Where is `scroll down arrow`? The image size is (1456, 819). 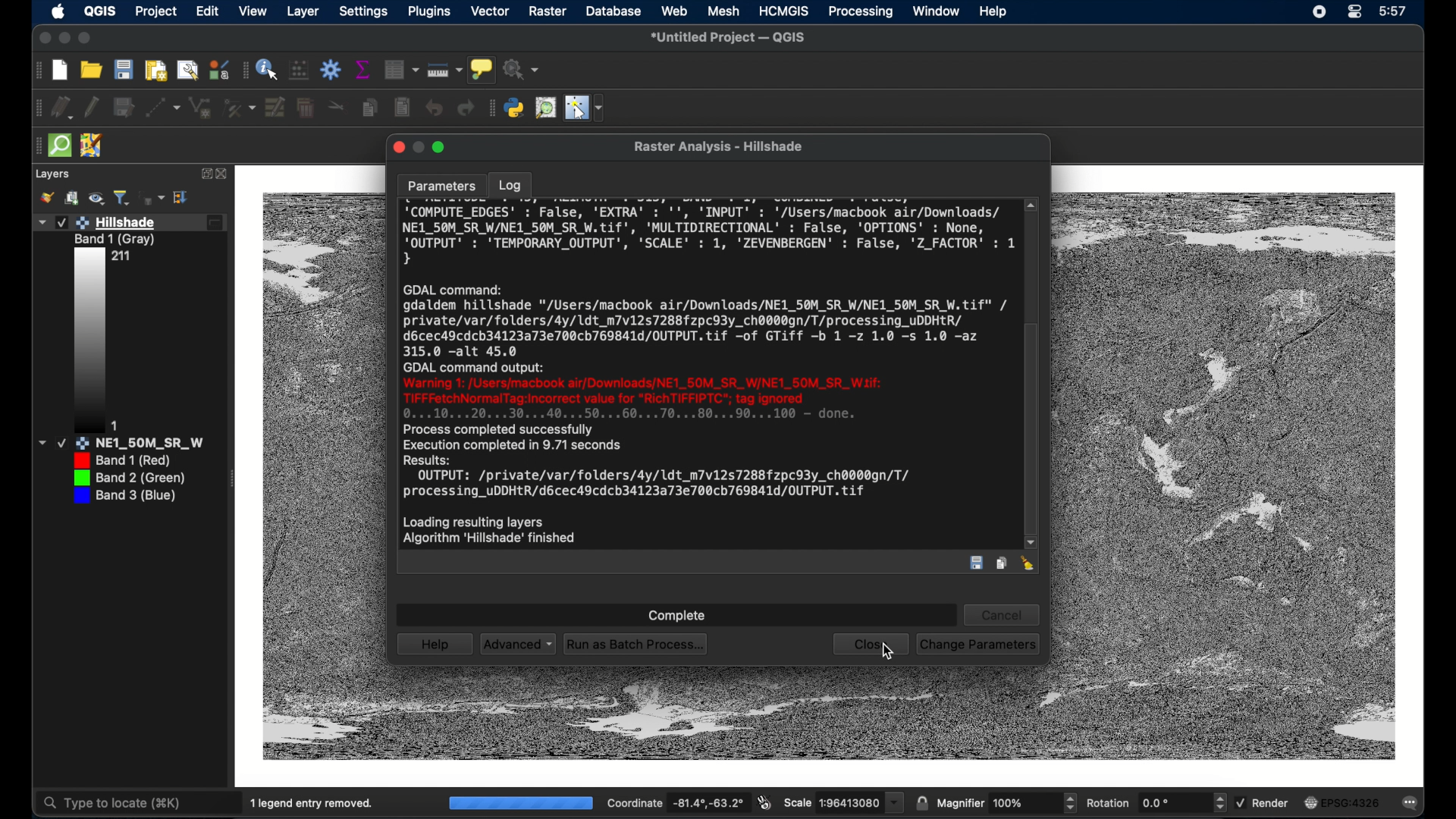
scroll down arrow is located at coordinates (1031, 543).